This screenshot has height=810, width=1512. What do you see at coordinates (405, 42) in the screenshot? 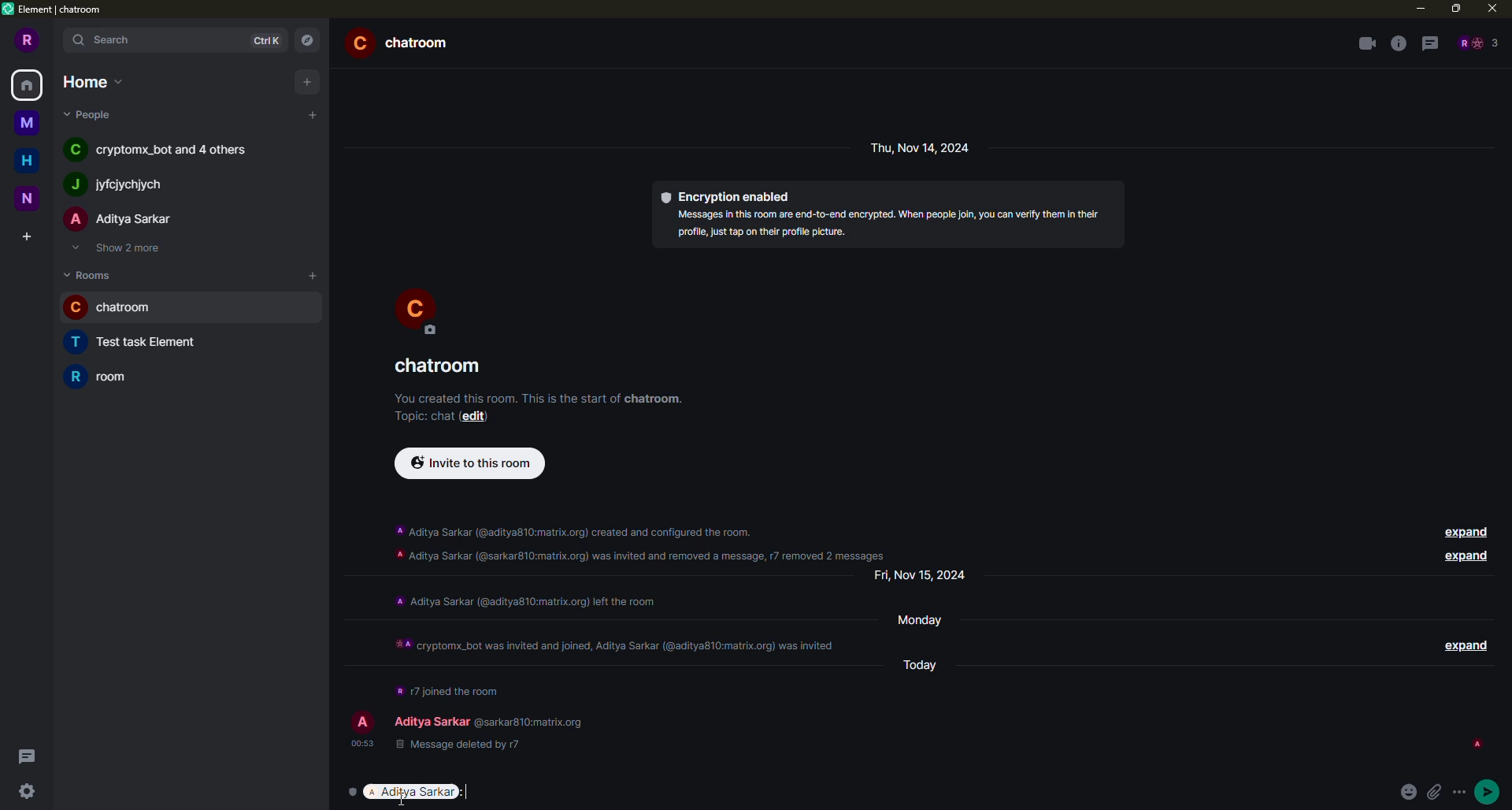
I see `room` at bounding box center [405, 42].